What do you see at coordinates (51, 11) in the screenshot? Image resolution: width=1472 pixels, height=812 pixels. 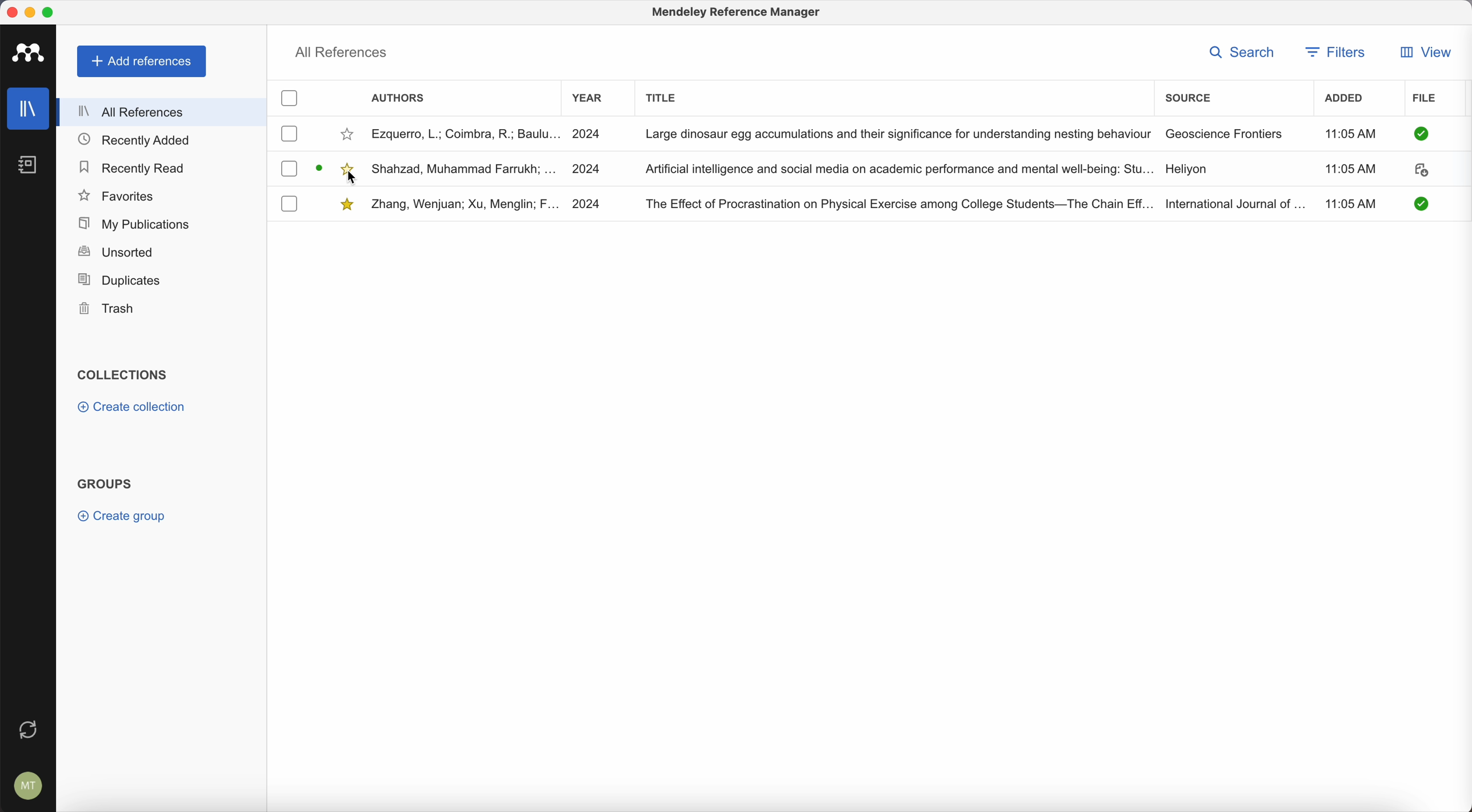 I see `maximize program` at bounding box center [51, 11].